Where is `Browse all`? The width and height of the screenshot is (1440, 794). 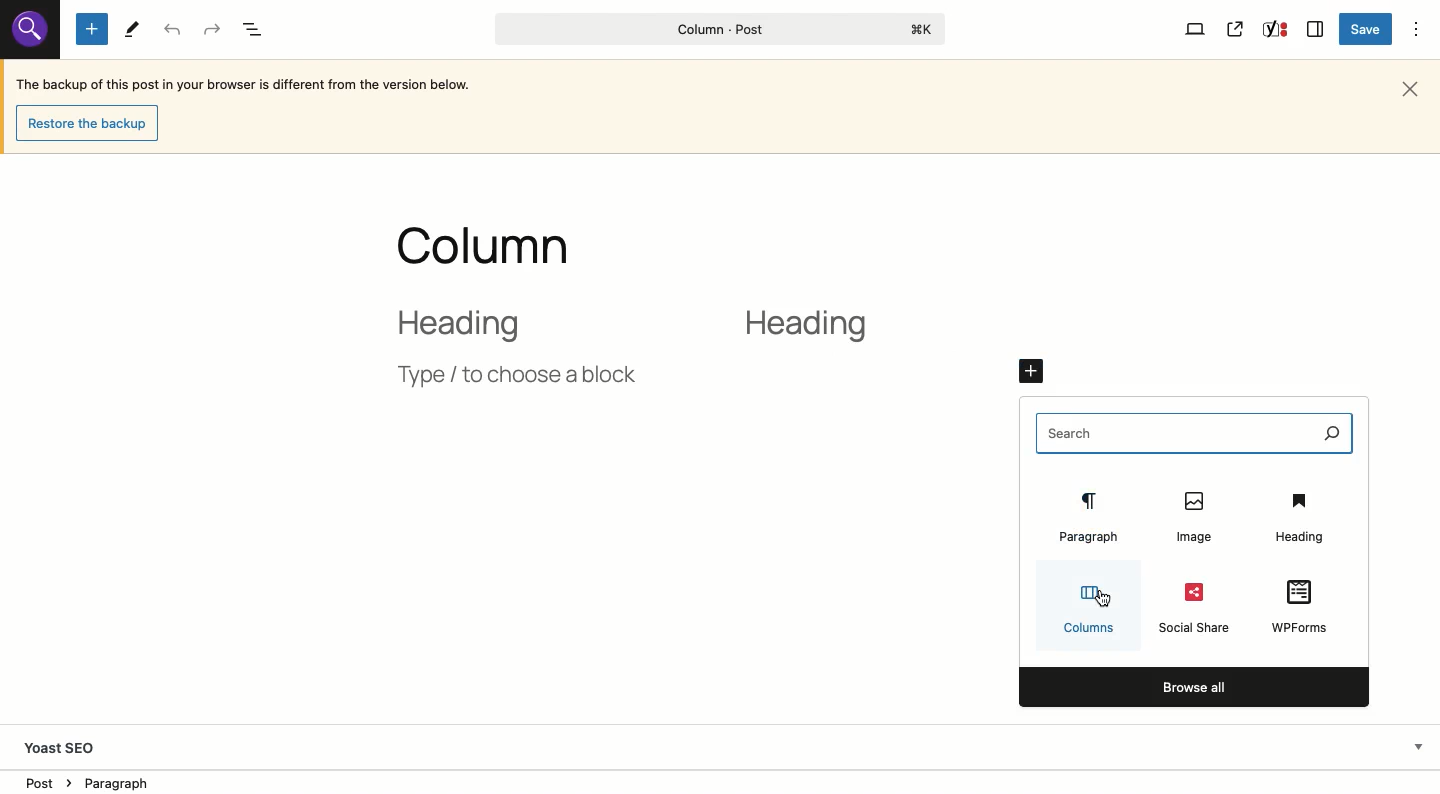 Browse all is located at coordinates (1192, 687).